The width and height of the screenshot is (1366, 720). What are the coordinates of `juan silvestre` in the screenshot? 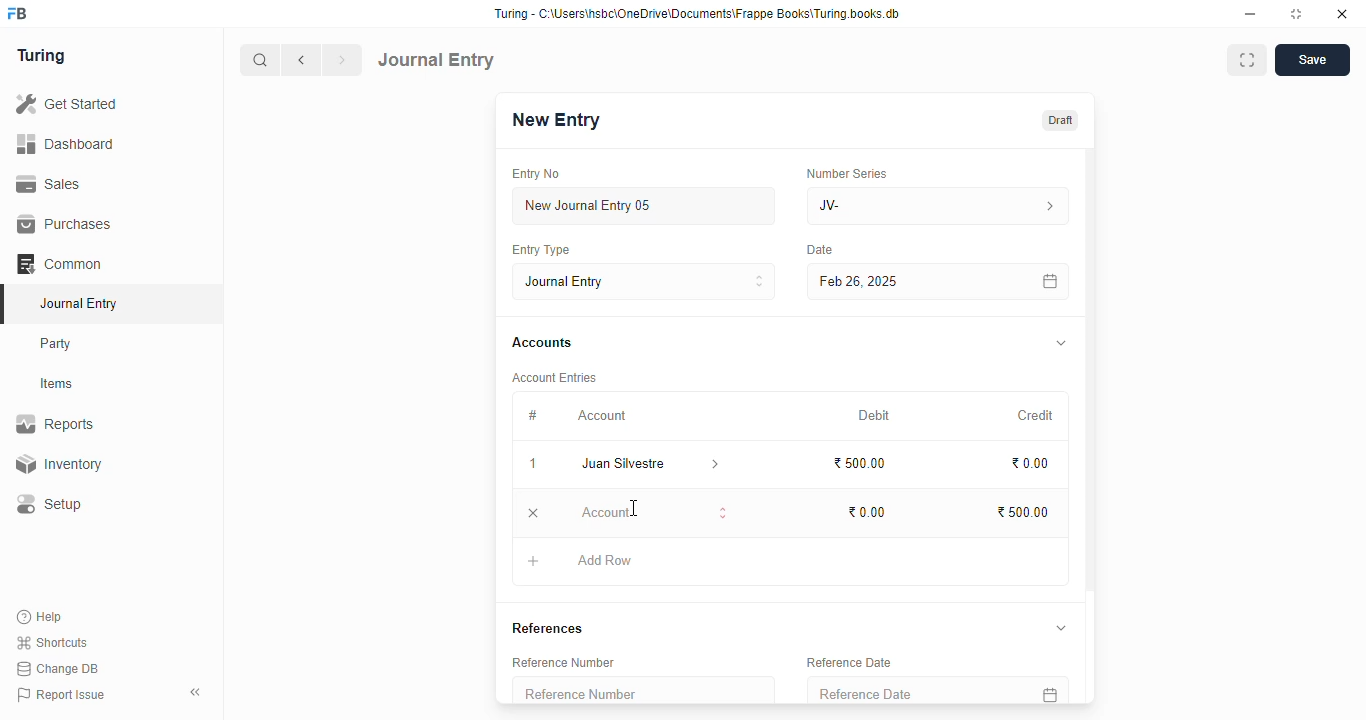 It's located at (627, 465).